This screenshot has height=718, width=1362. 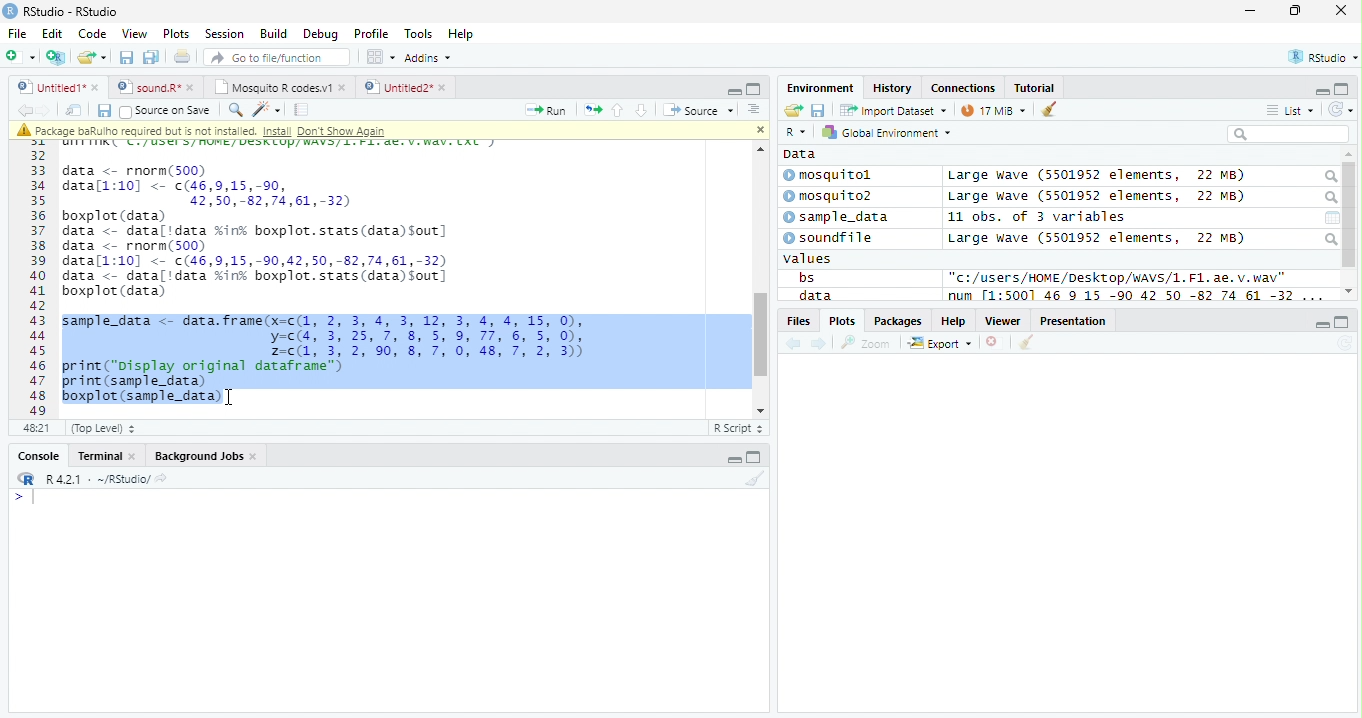 What do you see at coordinates (1035, 89) in the screenshot?
I see `Tutorial` at bounding box center [1035, 89].